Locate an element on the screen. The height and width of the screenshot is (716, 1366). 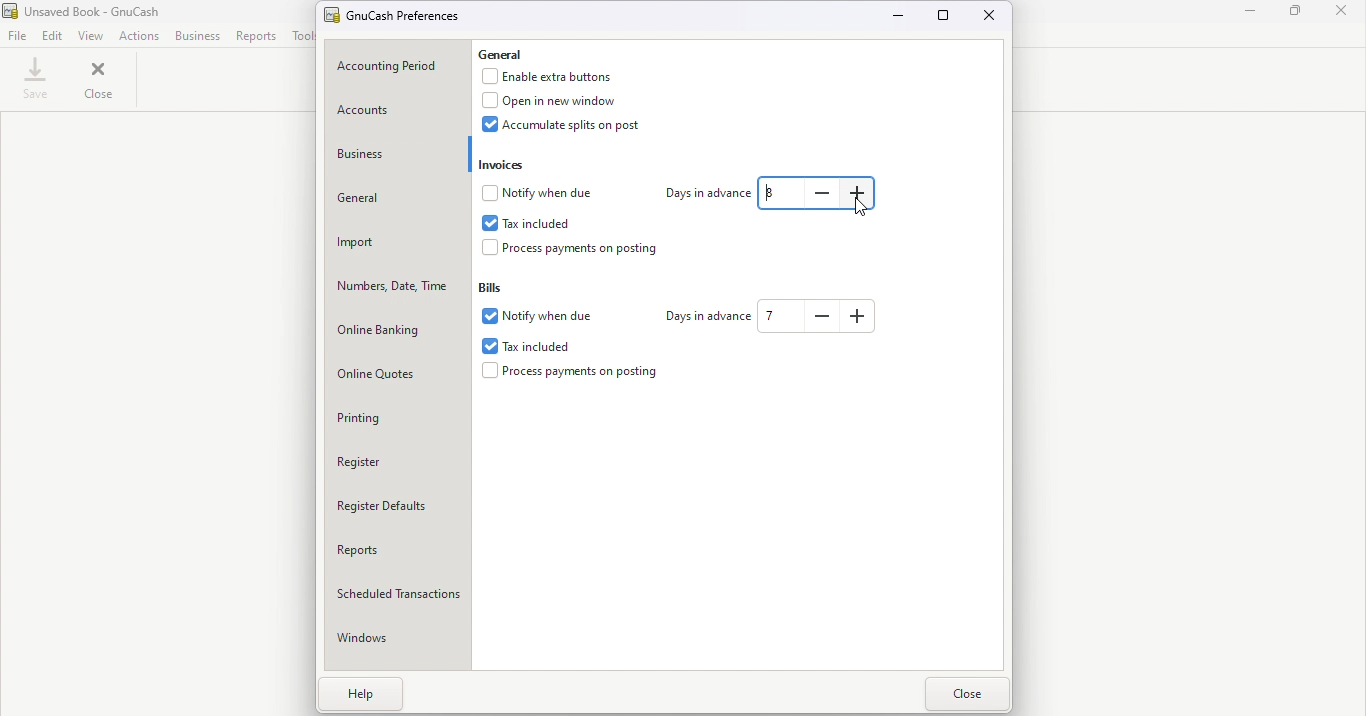
Close is located at coordinates (1344, 14).